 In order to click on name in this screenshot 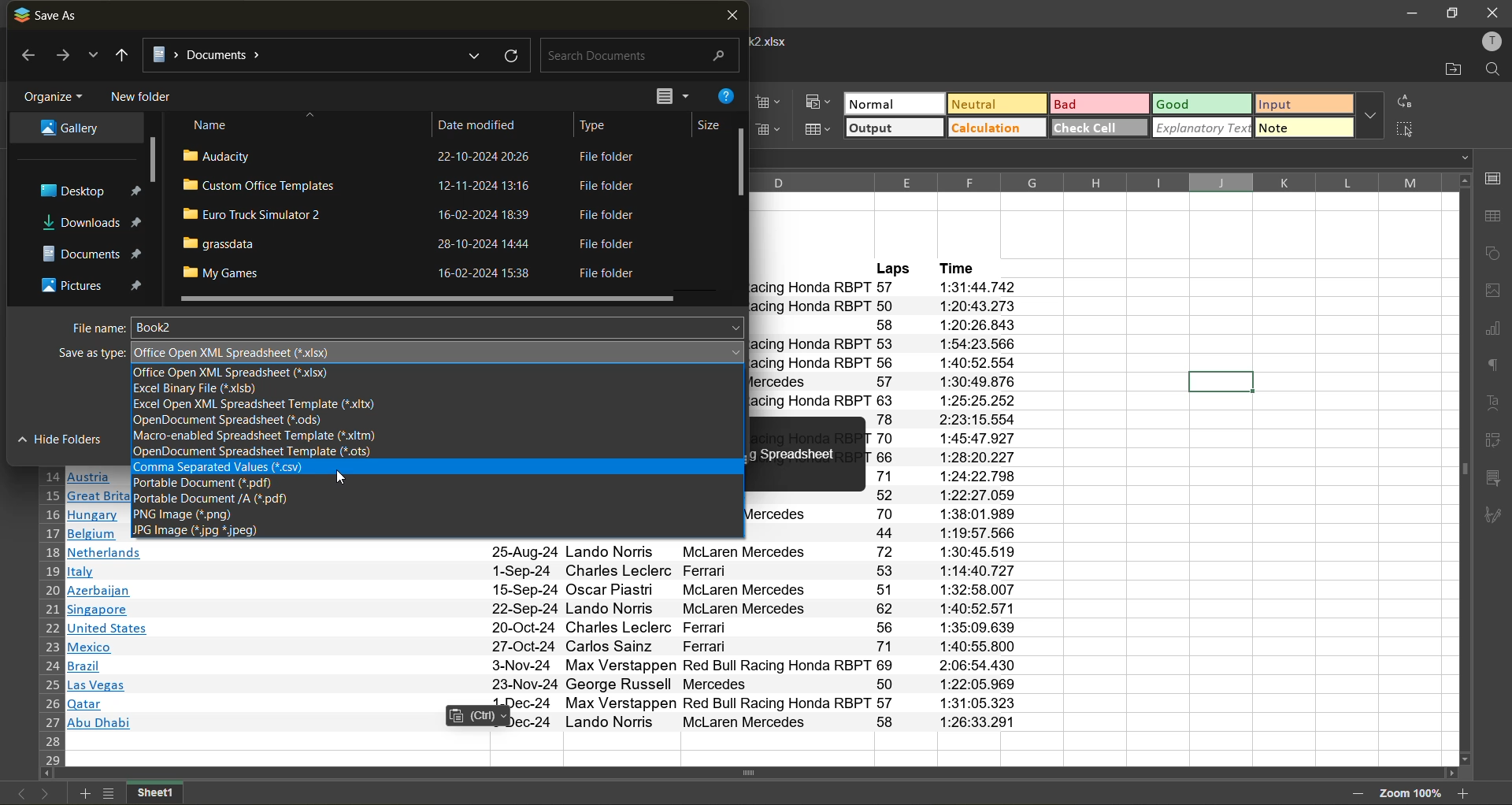, I will do `click(213, 124)`.